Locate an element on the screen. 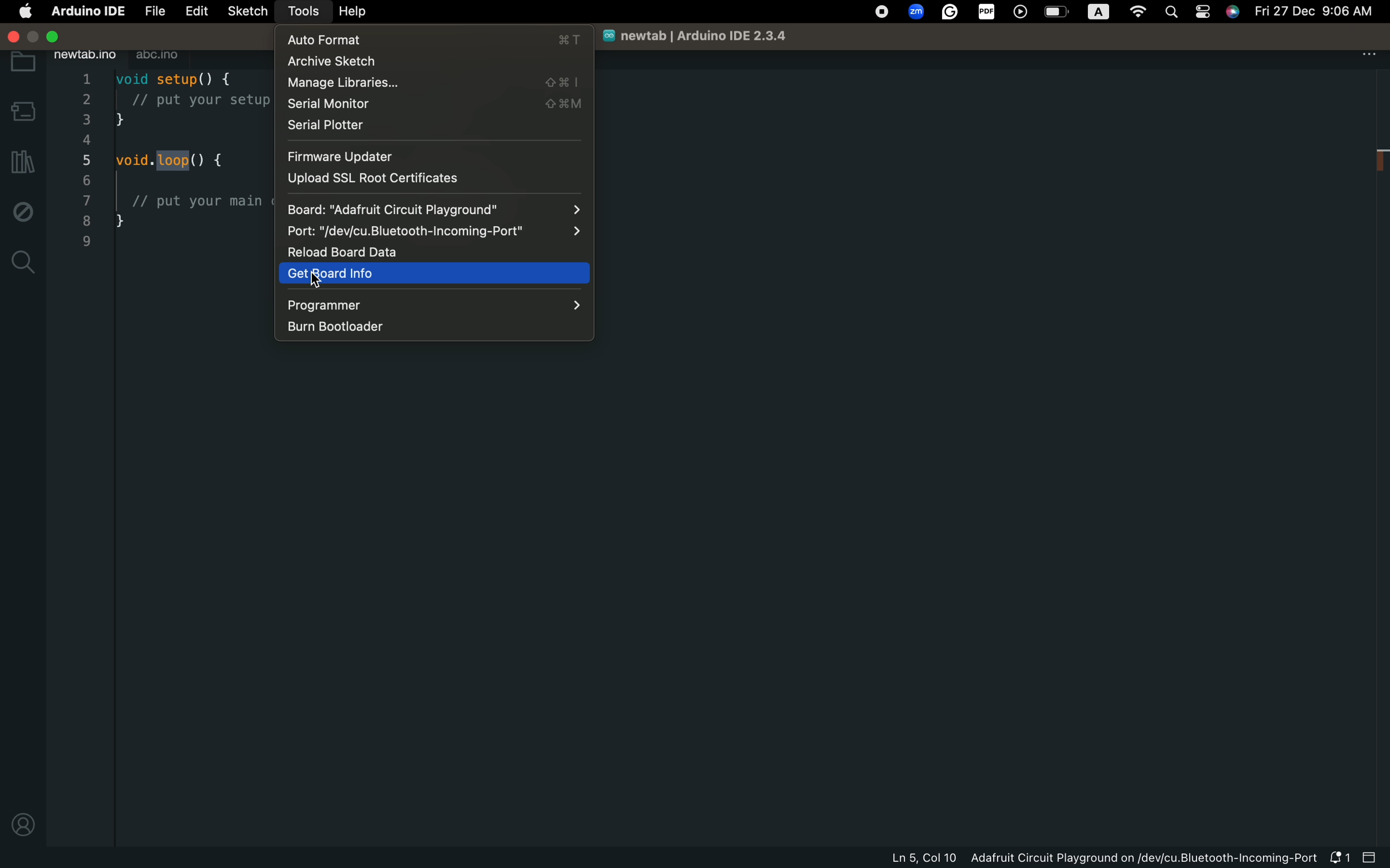 This screenshot has width=1390, height=868. Close is located at coordinates (56, 34).